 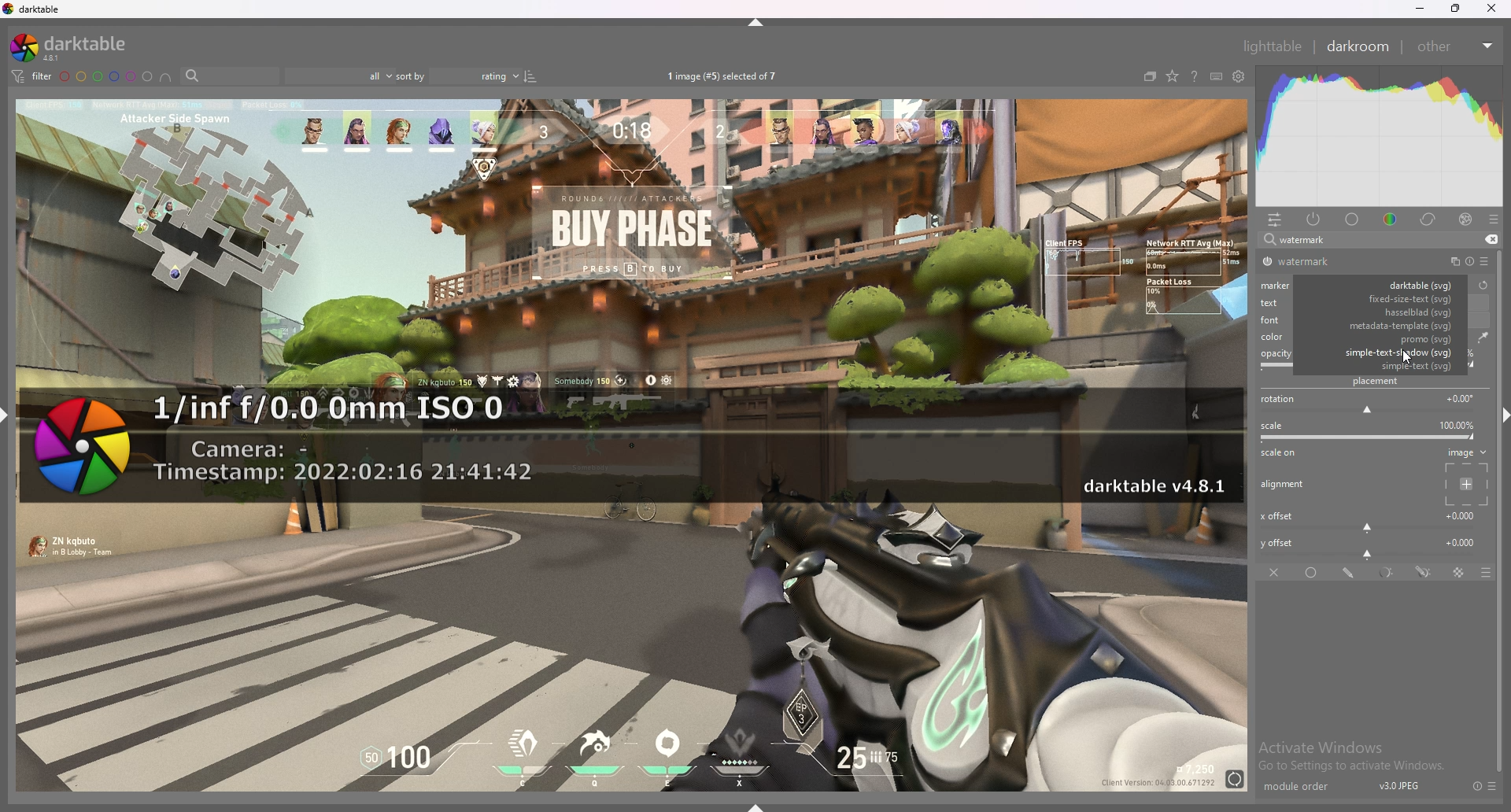 I want to click on show global preference, so click(x=1239, y=77).